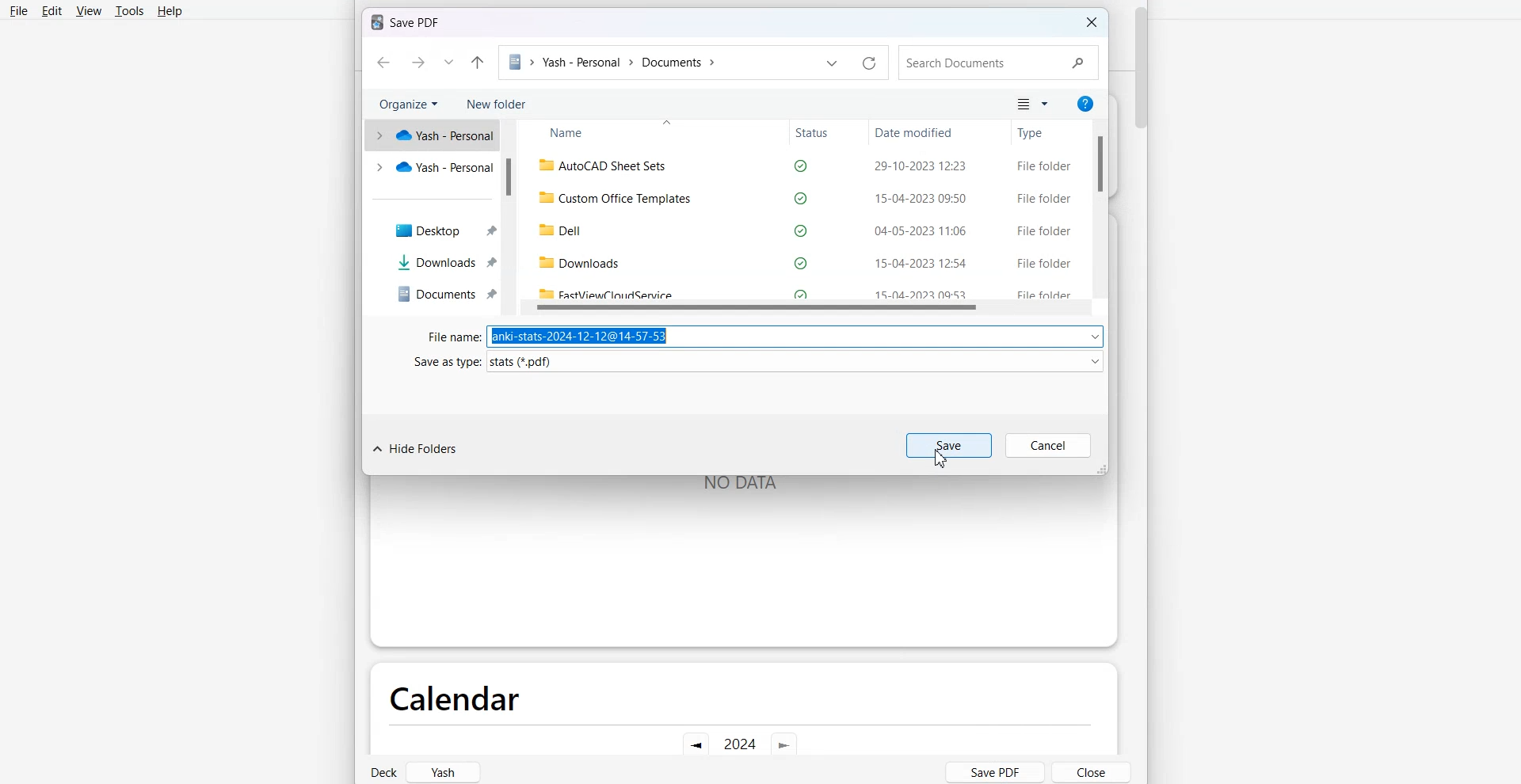 This screenshot has width=1521, height=784. What do you see at coordinates (806, 291) in the screenshot?
I see `Fastviewcloudservice` at bounding box center [806, 291].